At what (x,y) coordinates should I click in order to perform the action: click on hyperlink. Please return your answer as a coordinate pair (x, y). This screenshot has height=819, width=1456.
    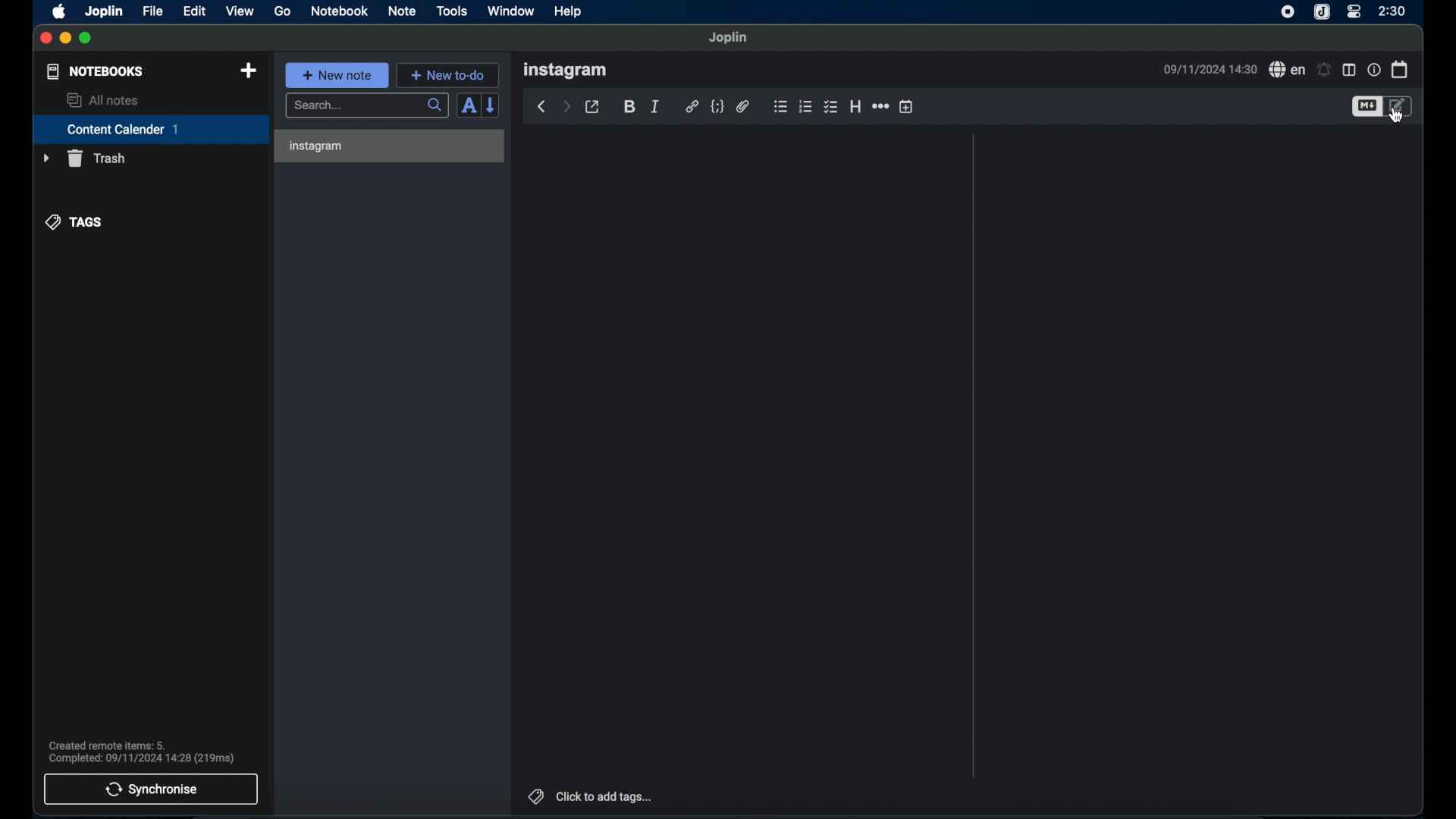
    Looking at the image, I should click on (692, 105).